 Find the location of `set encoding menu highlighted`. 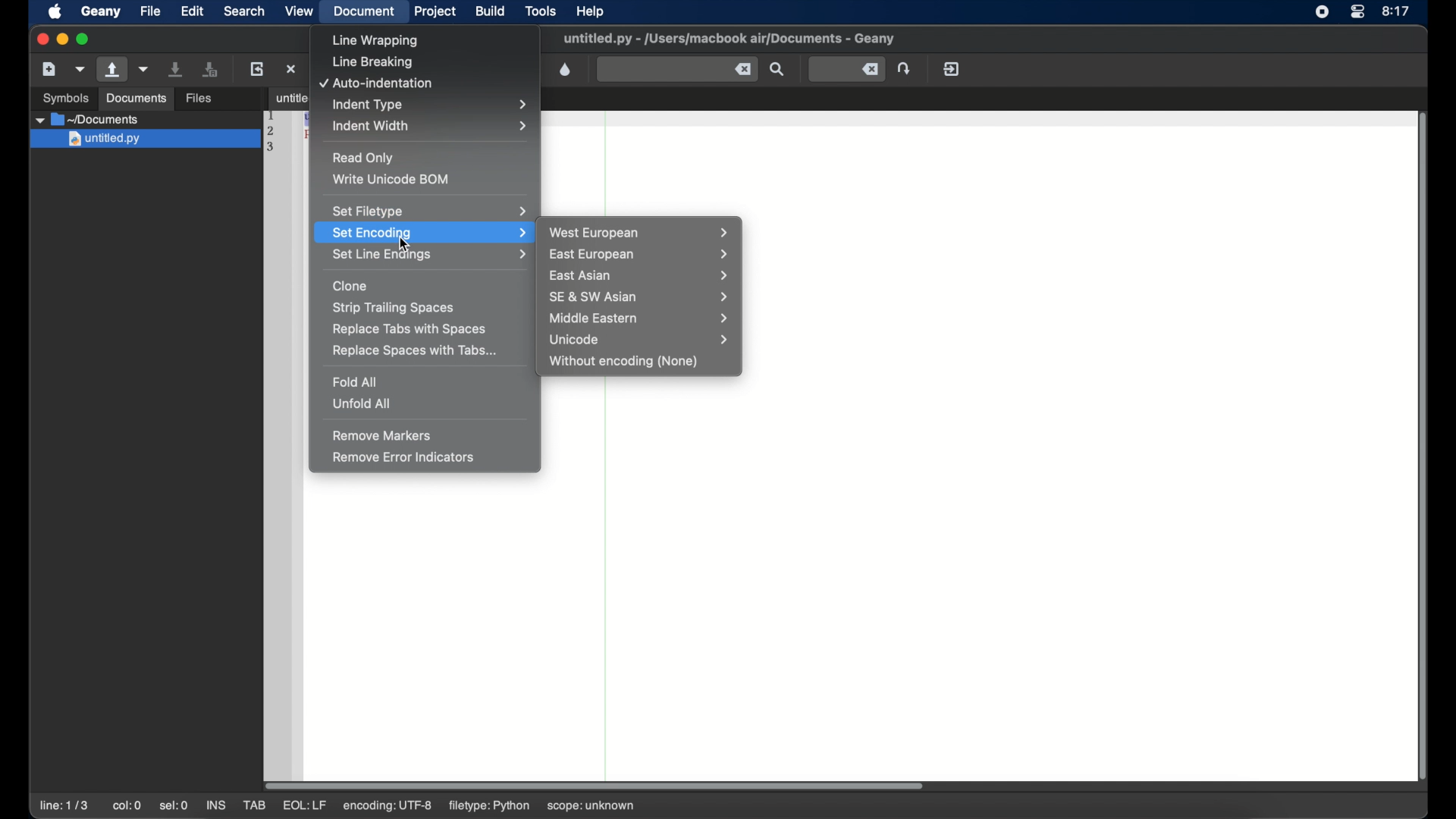

set encoding menu highlighted is located at coordinates (424, 232).